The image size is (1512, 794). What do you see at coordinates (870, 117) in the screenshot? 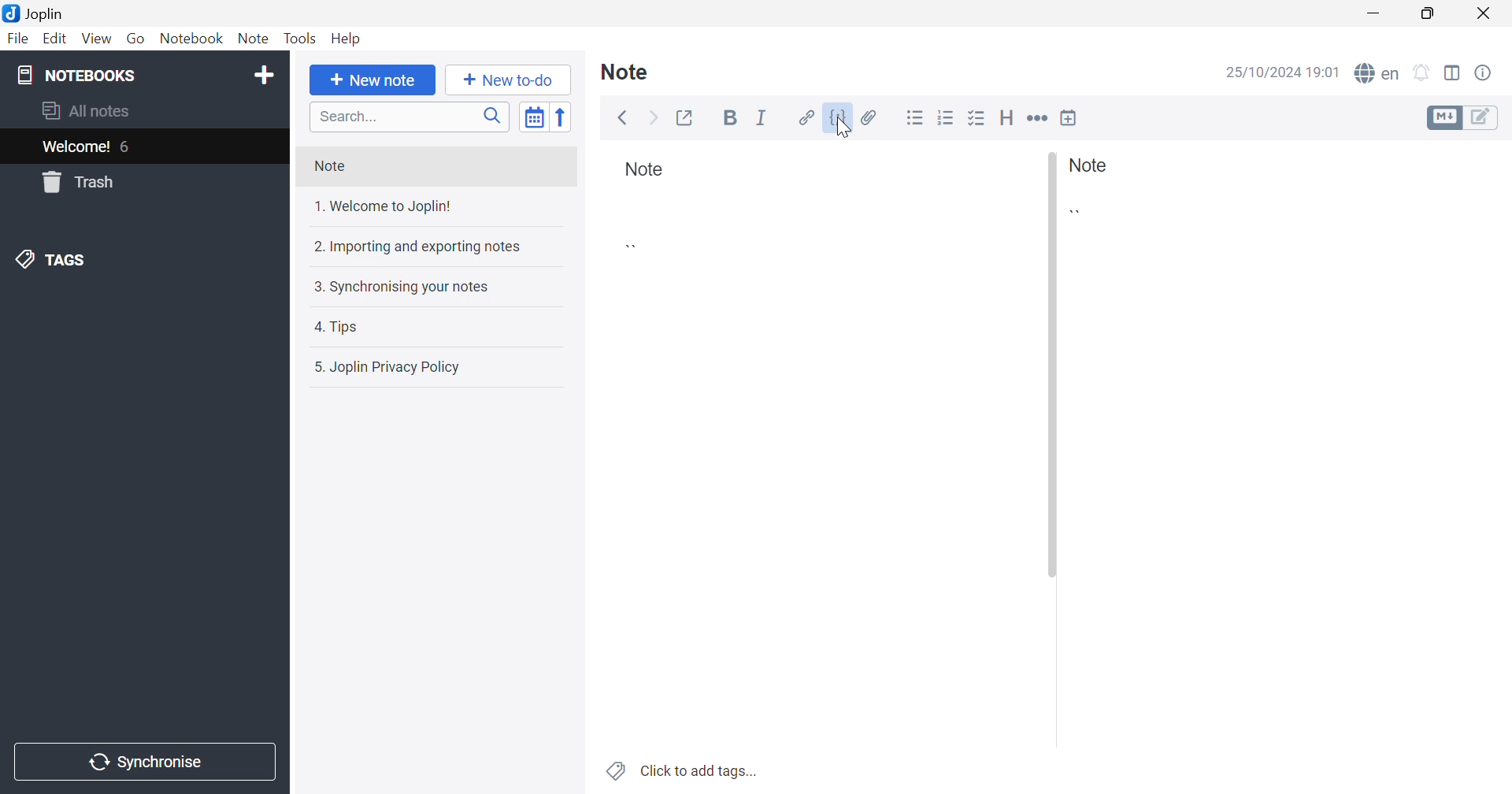
I see `Attach file` at bounding box center [870, 117].